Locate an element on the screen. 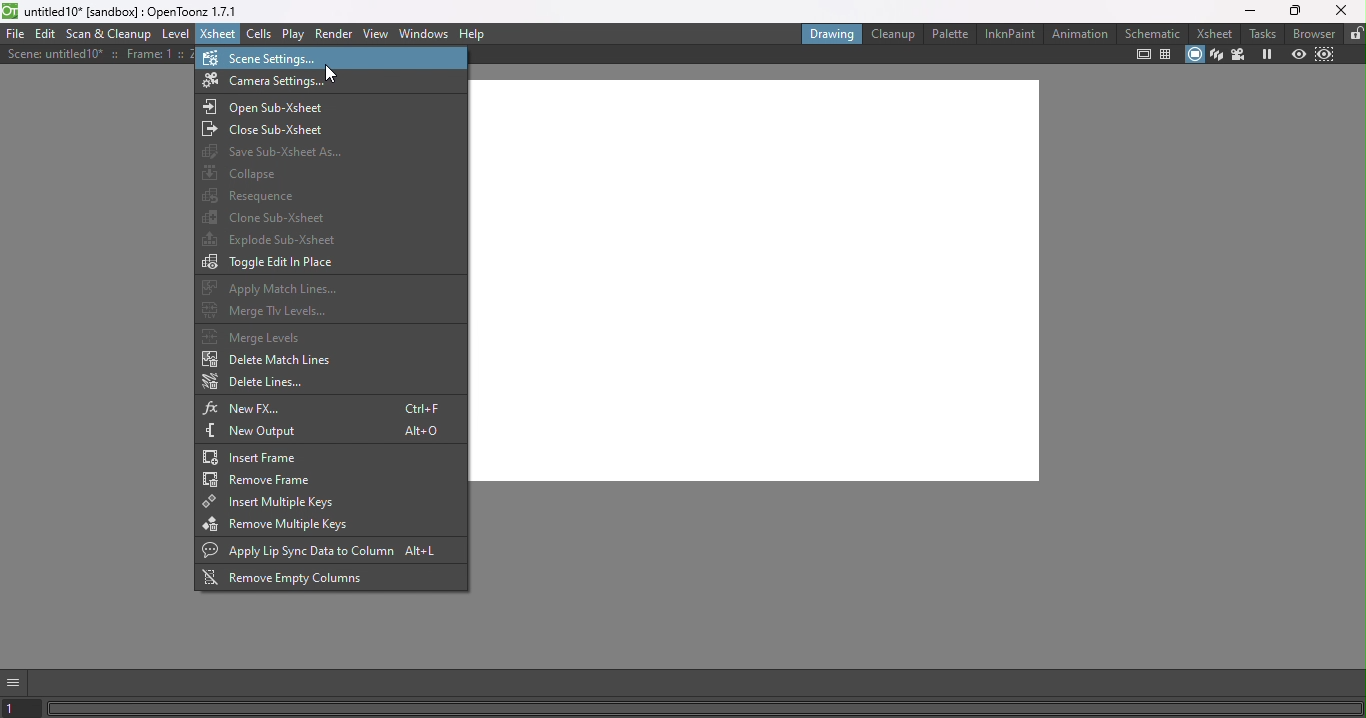 The height and width of the screenshot is (718, 1366). Level is located at coordinates (177, 36).